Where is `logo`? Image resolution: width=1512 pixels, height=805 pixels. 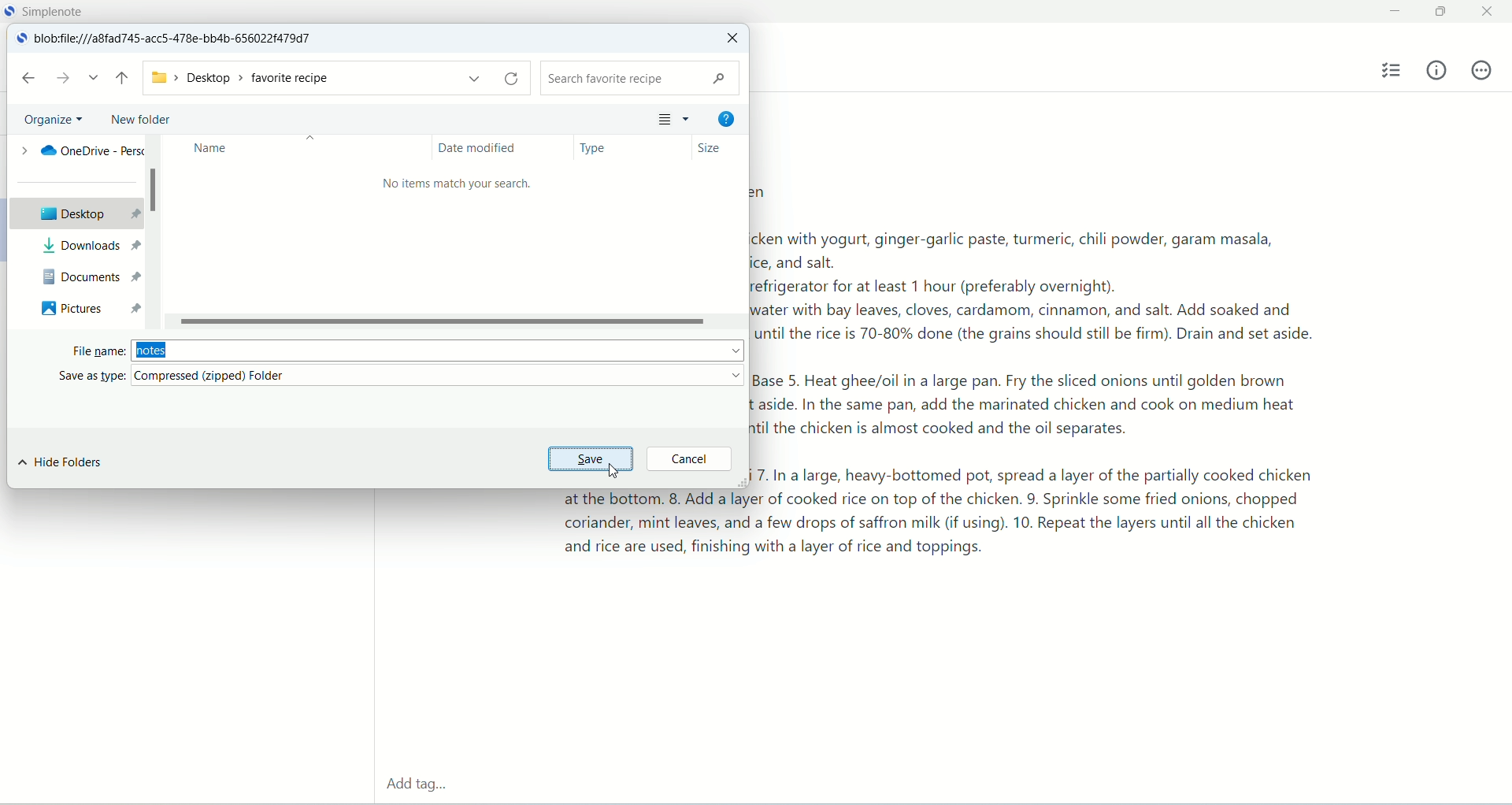 logo is located at coordinates (20, 40).